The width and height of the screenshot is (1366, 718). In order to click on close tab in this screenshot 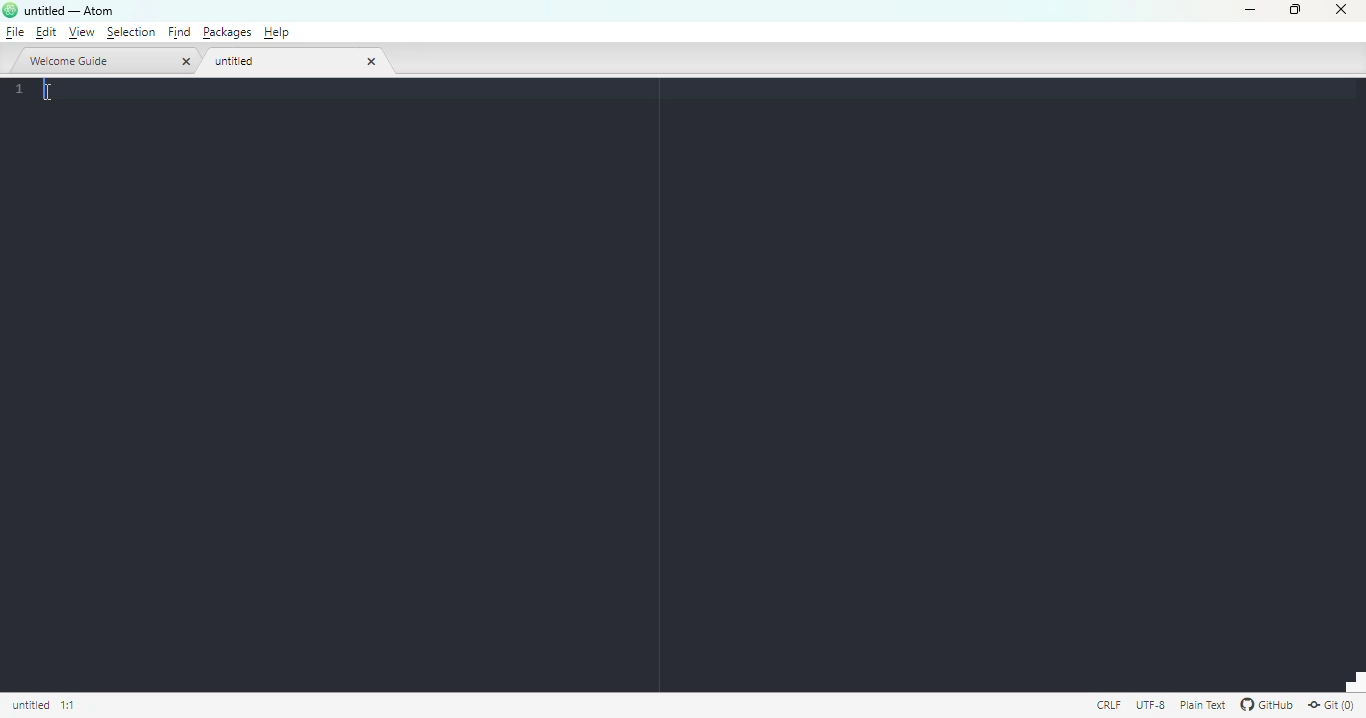, I will do `click(184, 62)`.